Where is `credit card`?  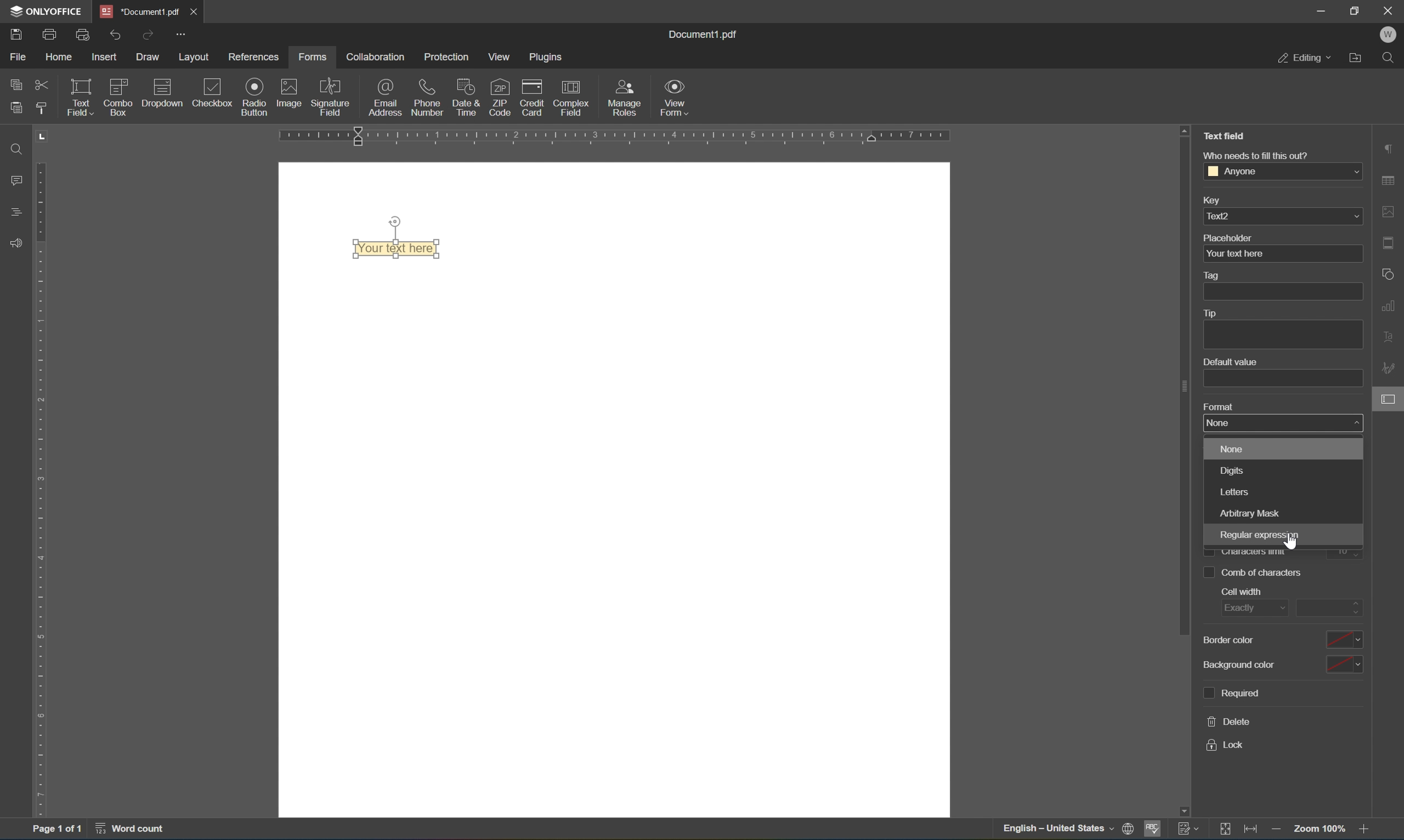 credit card is located at coordinates (533, 96).